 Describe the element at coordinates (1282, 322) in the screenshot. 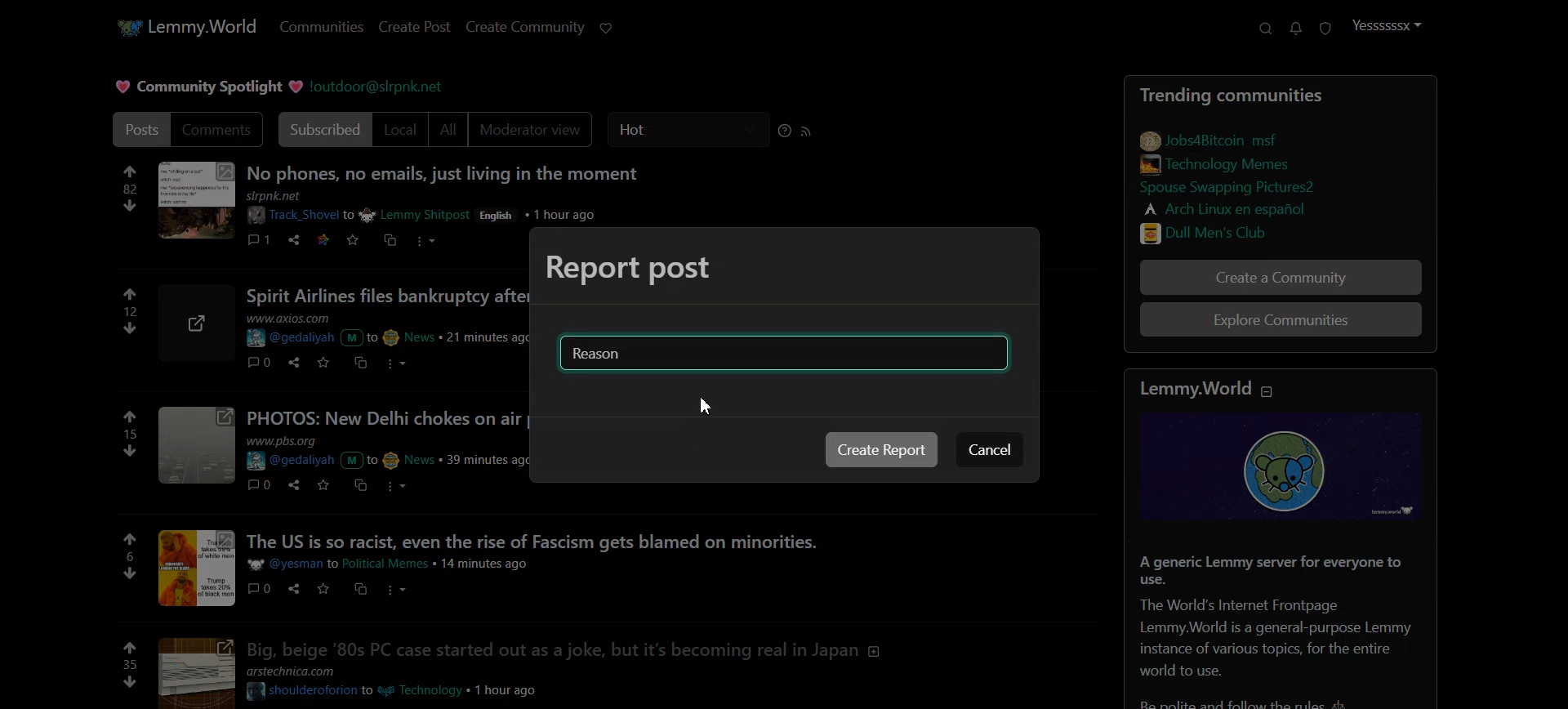

I see `Explore Communities` at that location.